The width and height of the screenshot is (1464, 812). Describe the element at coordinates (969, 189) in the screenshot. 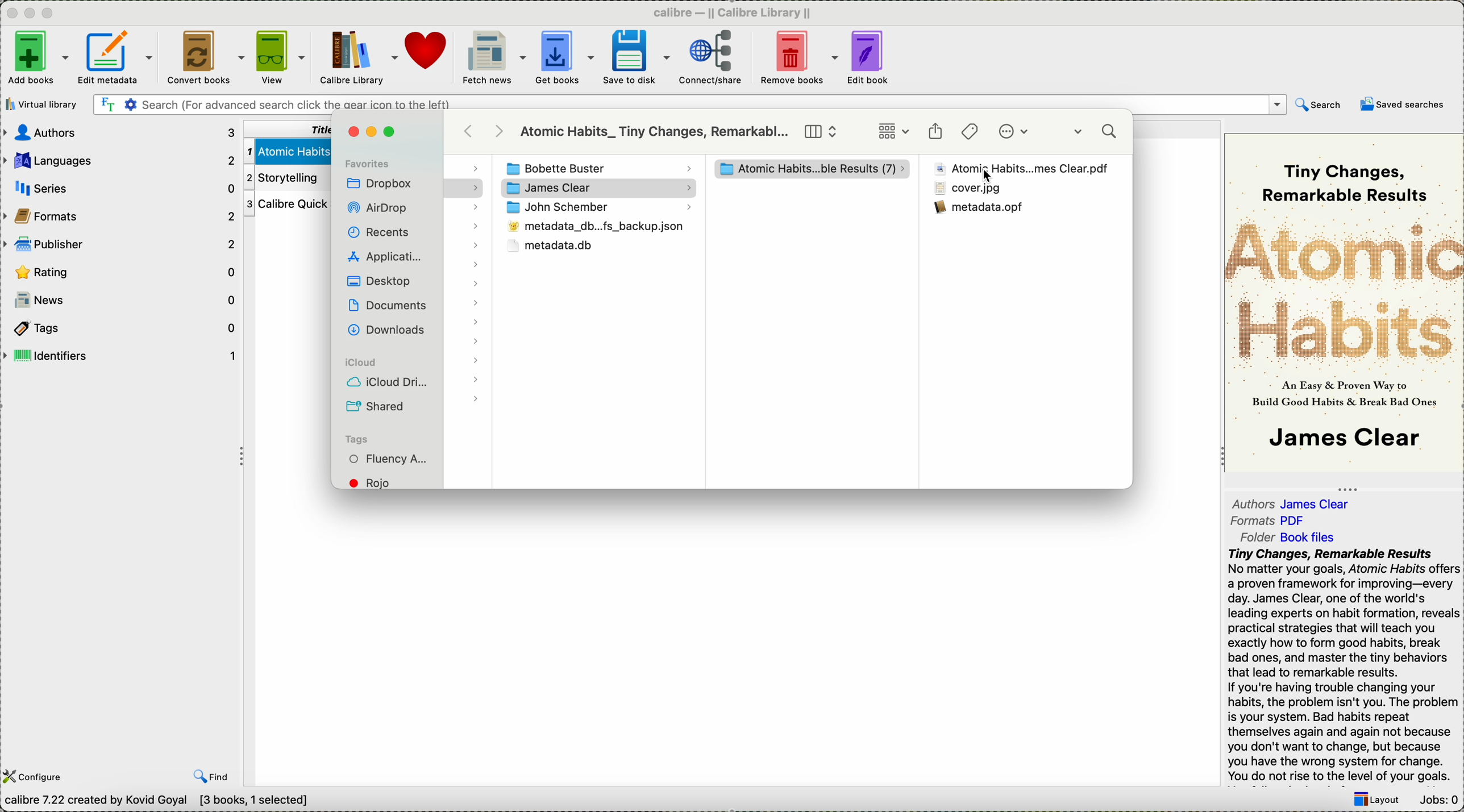

I see `file` at that location.